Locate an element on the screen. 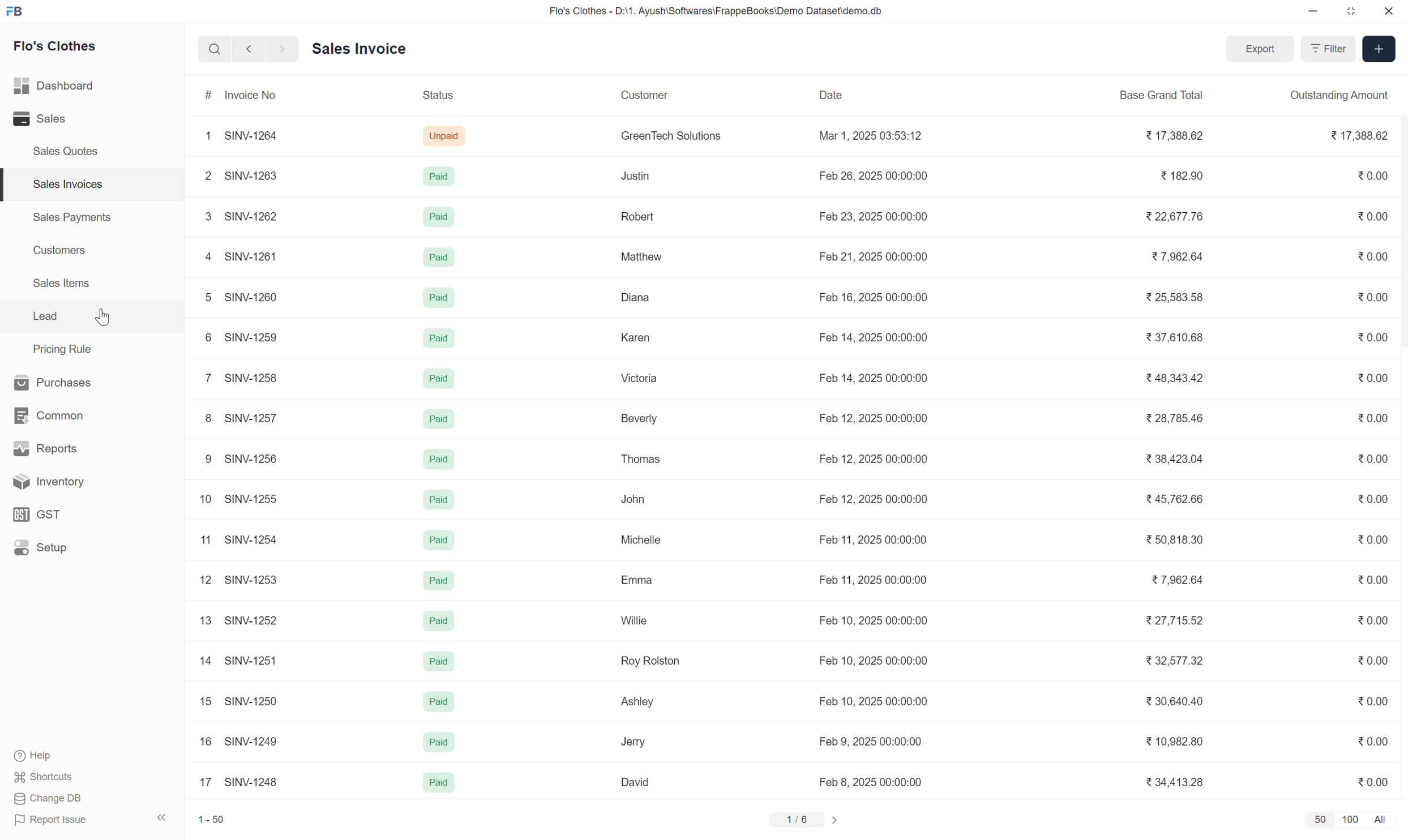 The image size is (1408, 840). Customer is located at coordinates (643, 95).